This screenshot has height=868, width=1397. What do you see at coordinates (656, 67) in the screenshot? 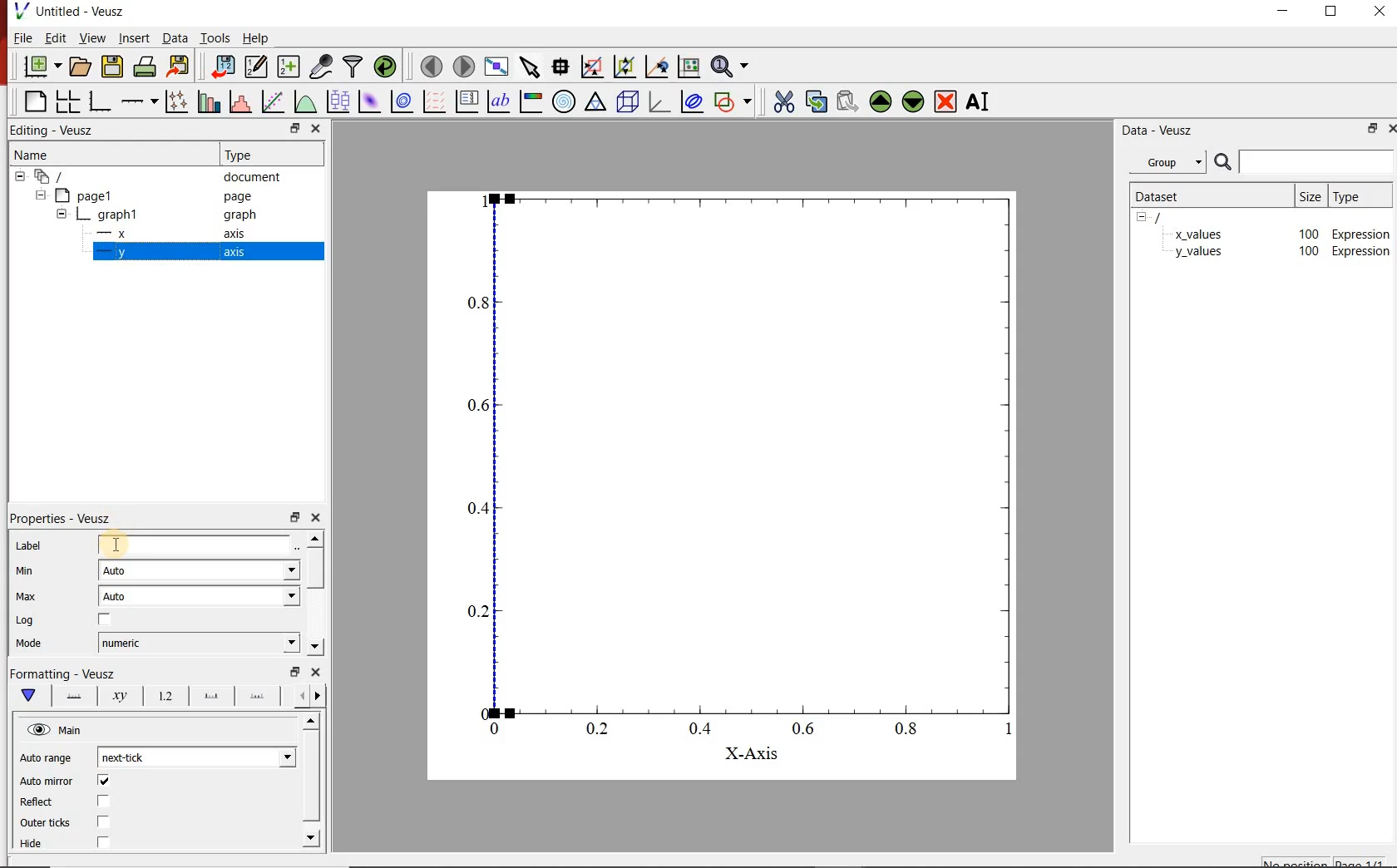
I see `click to recenter graph axes` at bounding box center [656, 67].